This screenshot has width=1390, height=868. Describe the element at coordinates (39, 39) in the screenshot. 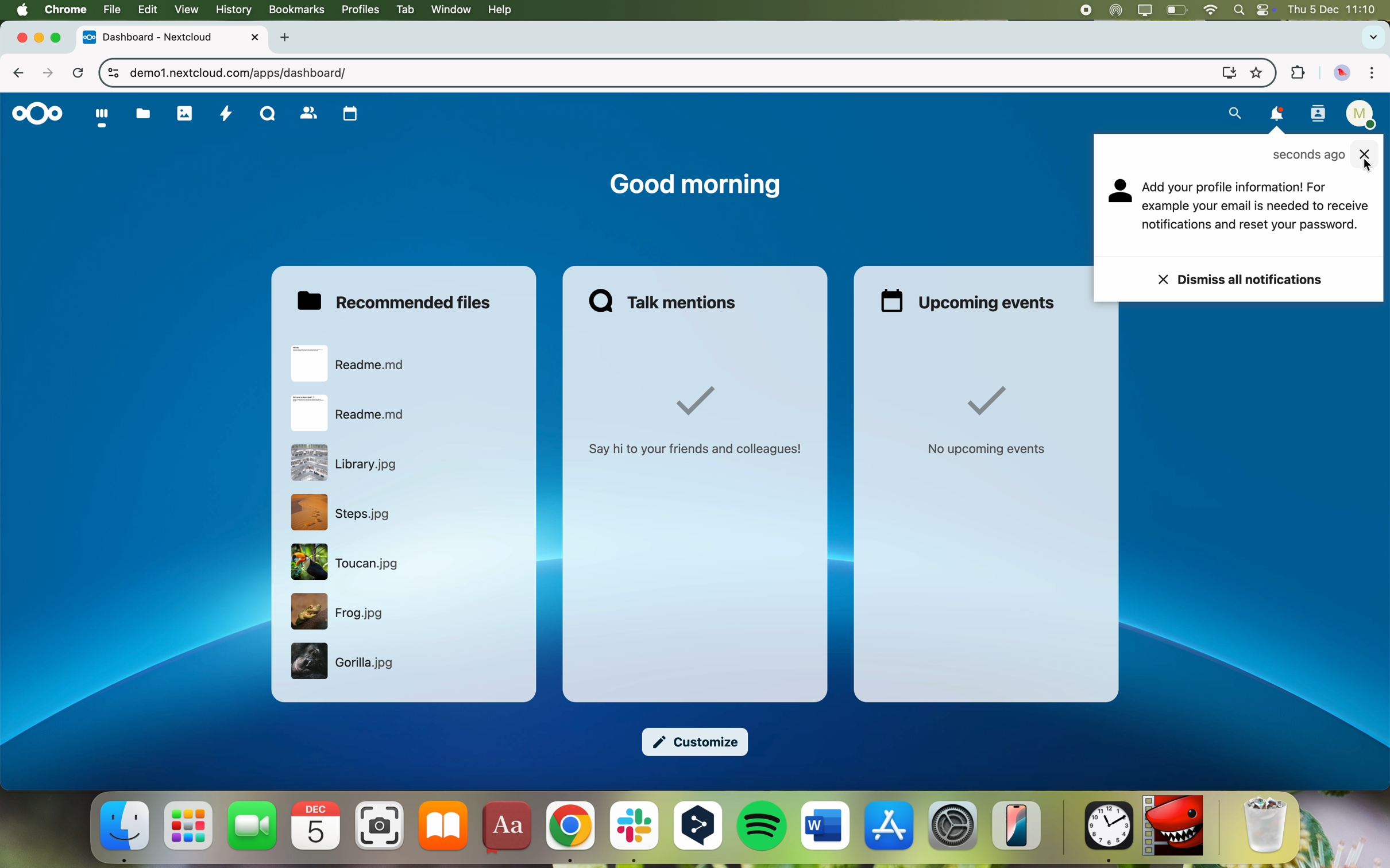

I see `minimize` at that location.